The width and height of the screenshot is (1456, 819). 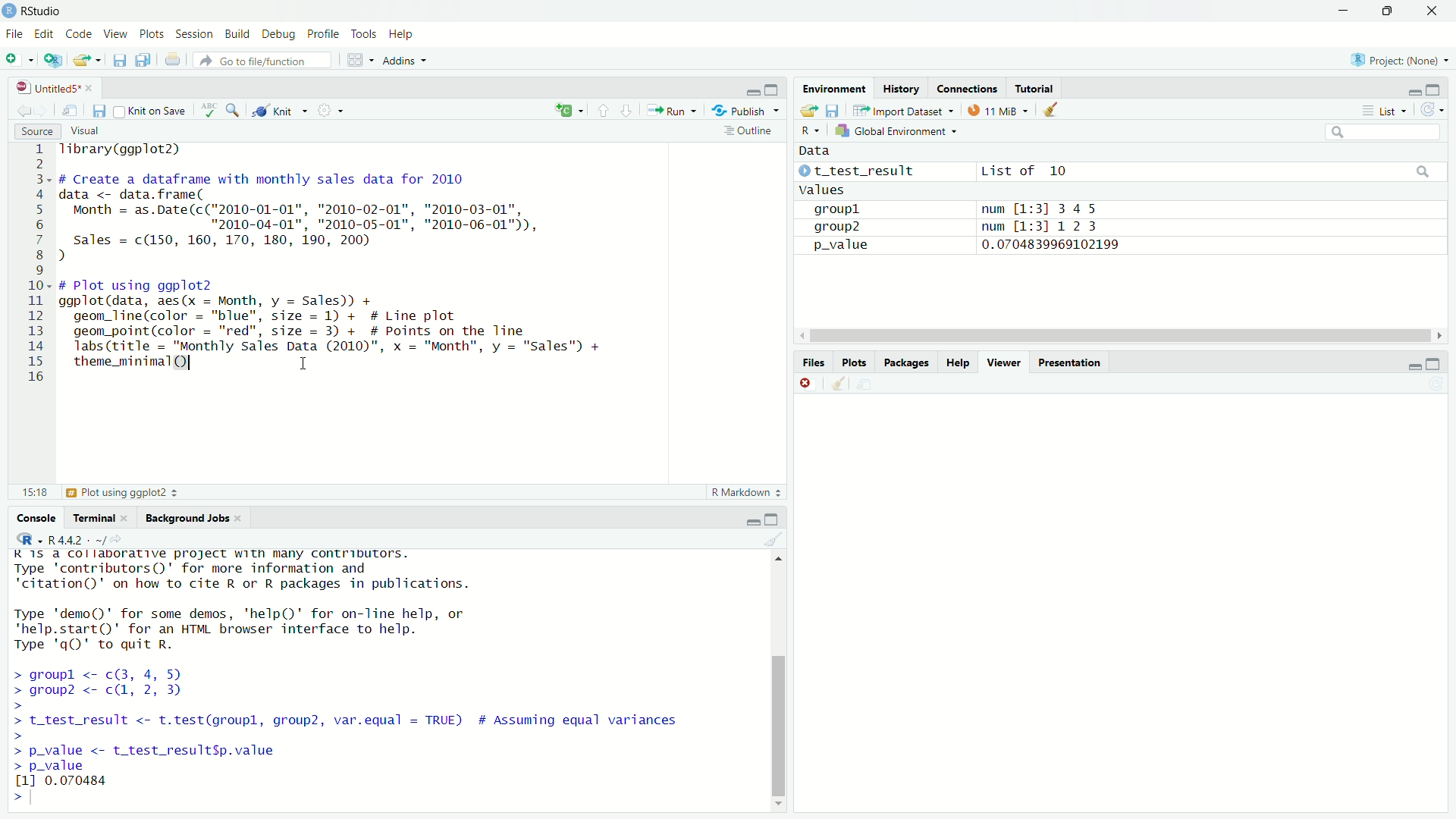 I want to click on  Knit , so click(x=281, y=110).